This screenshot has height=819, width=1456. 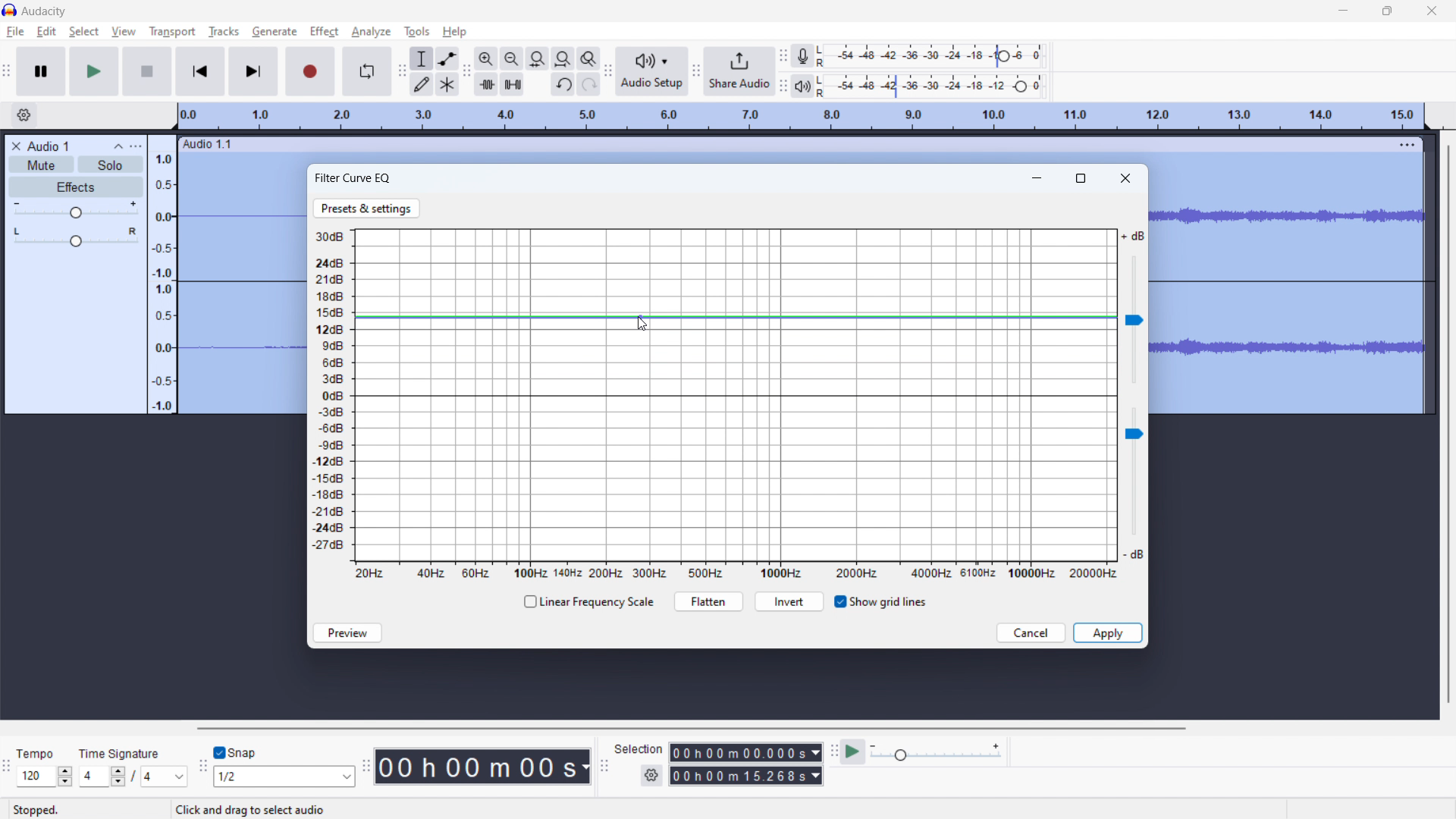 What do you see at coordinates (1082, 177) in the screenshot?
I see `maximize` at bounding box center [1082, 177].